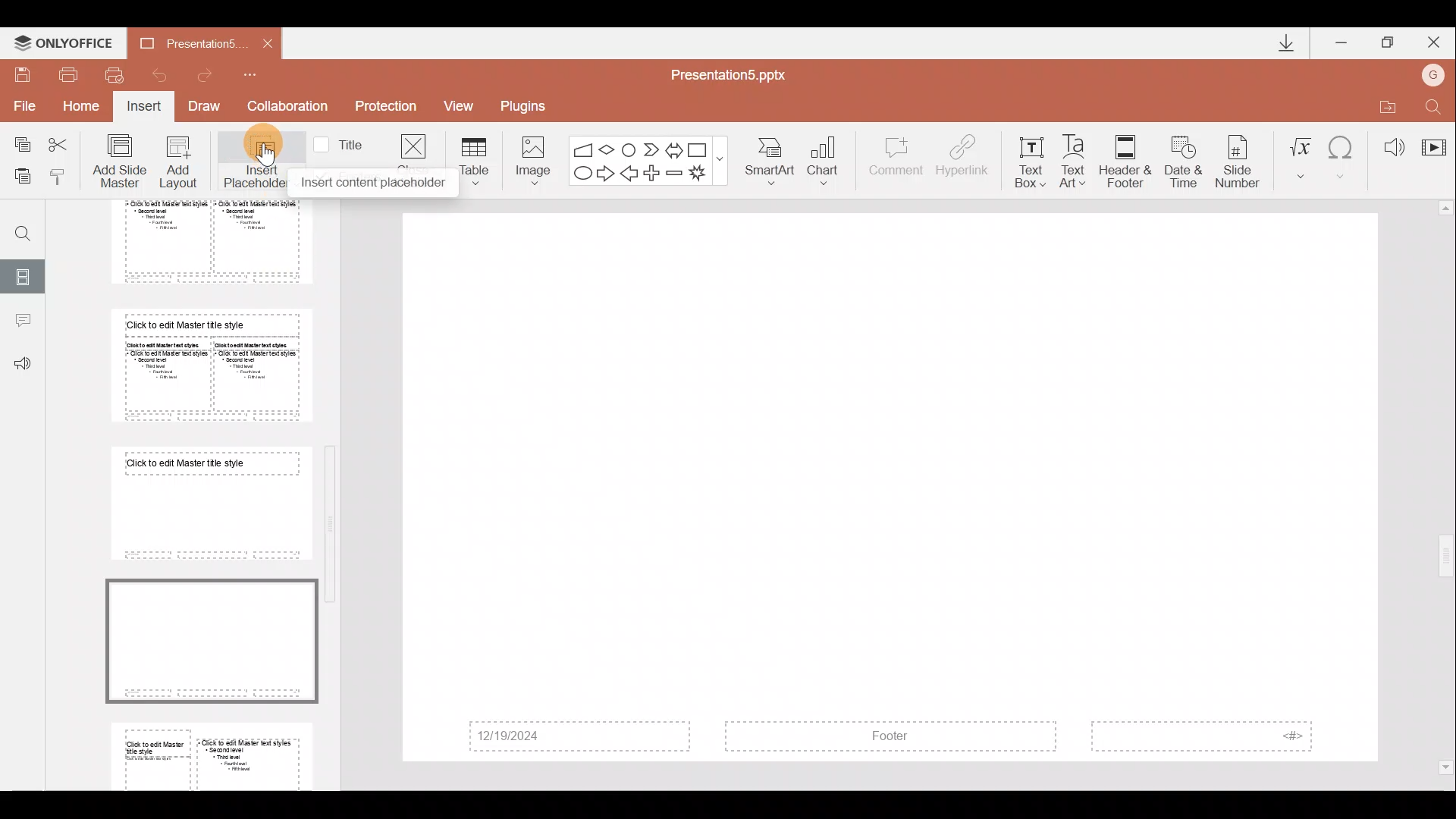  I want to click on Slide 7, so click(206, 503).